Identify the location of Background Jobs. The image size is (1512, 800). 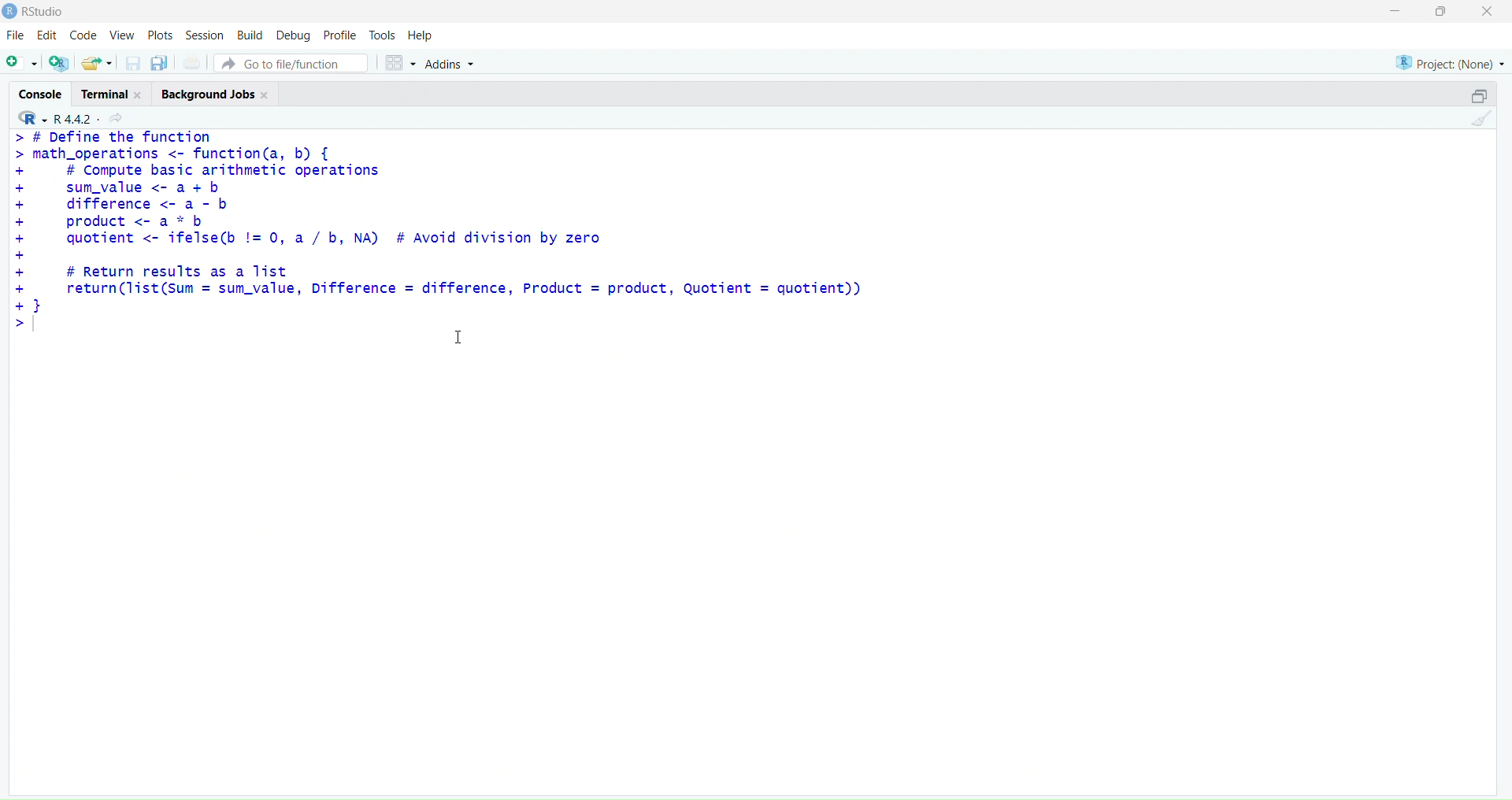
(216, 94).